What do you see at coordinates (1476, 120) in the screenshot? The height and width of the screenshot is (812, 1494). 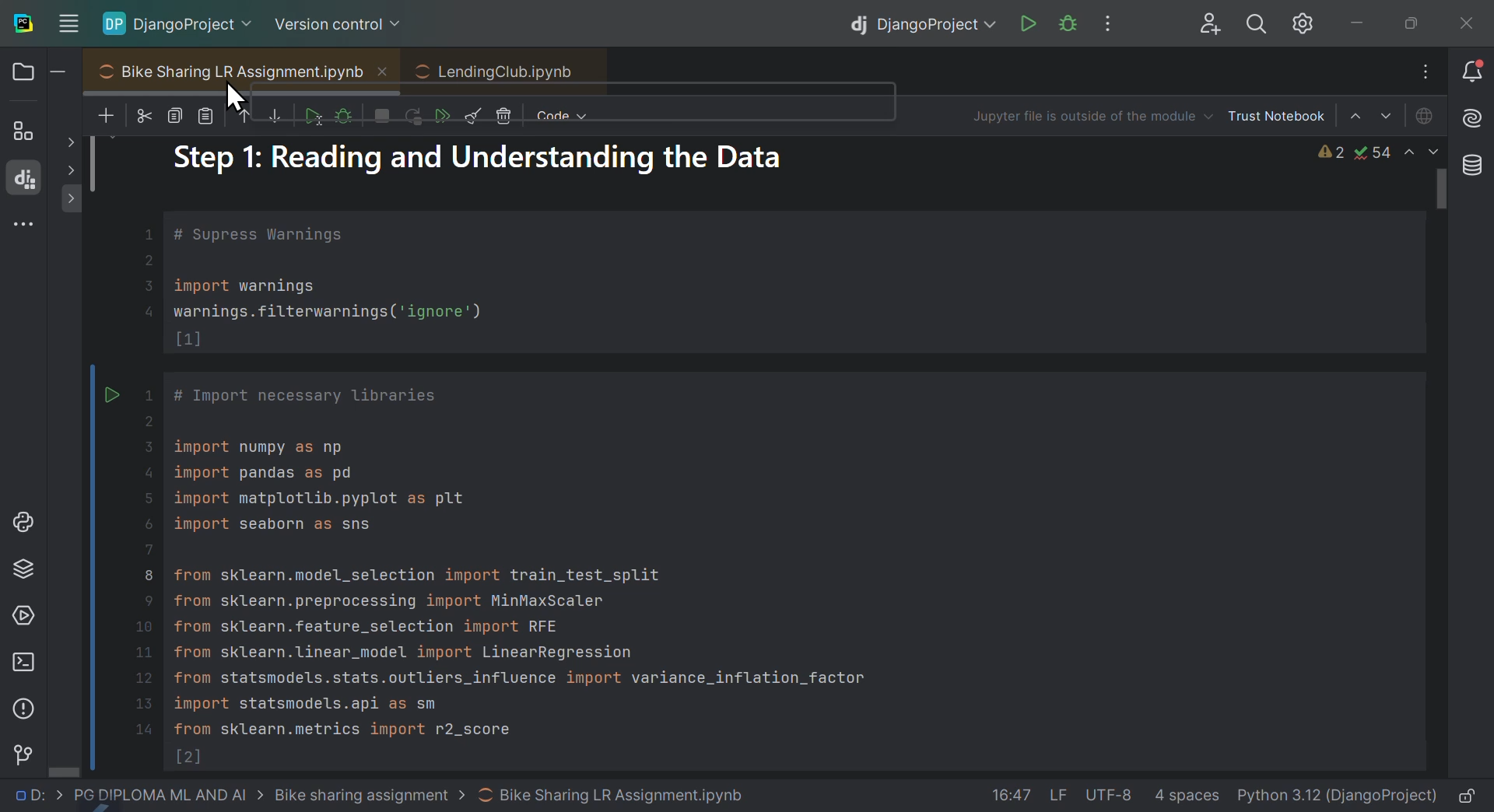 I see `AI assistant` at bounding box center [1476, 120].